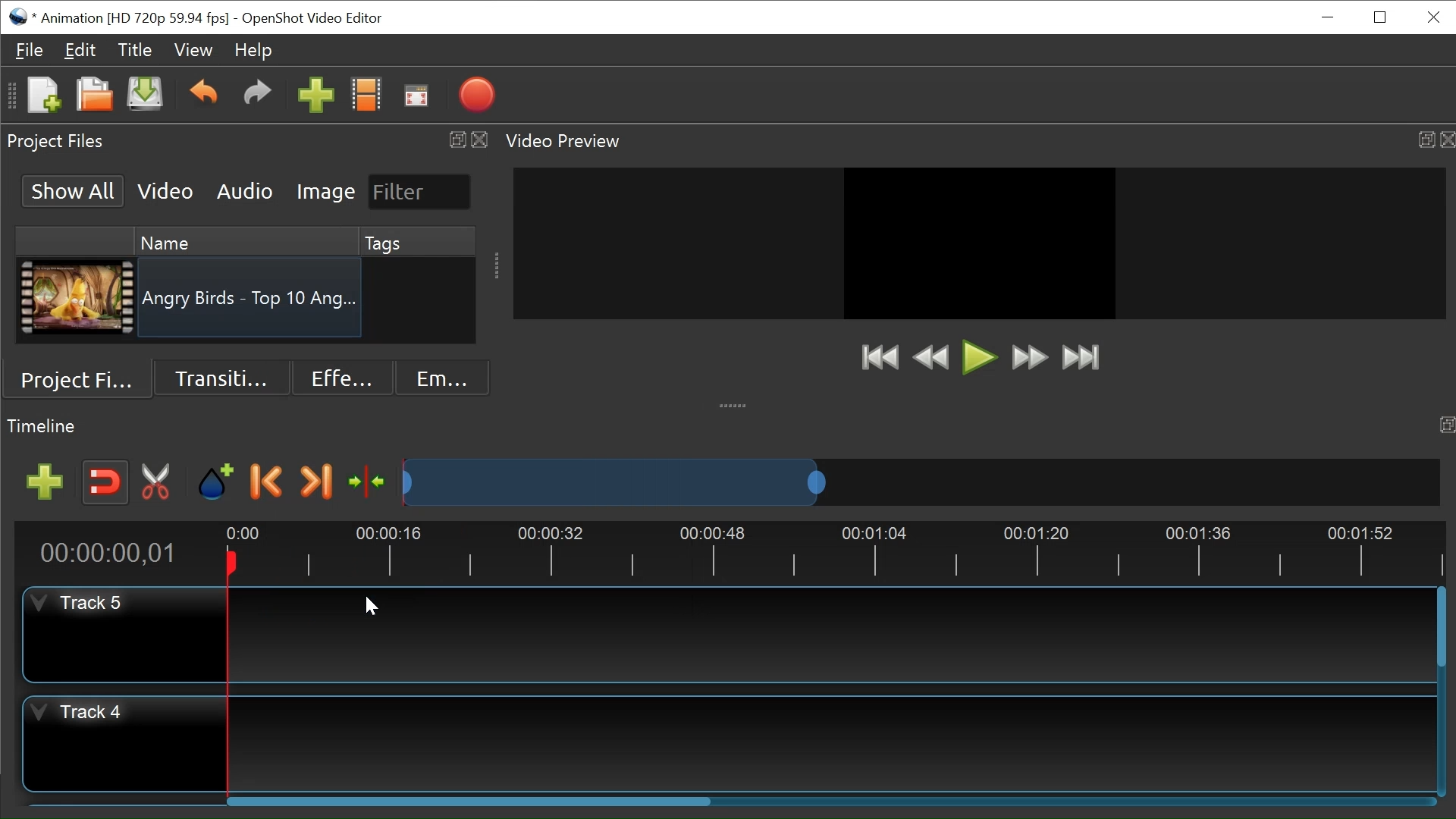  I want to click on Track Panel, so click(827, 634).